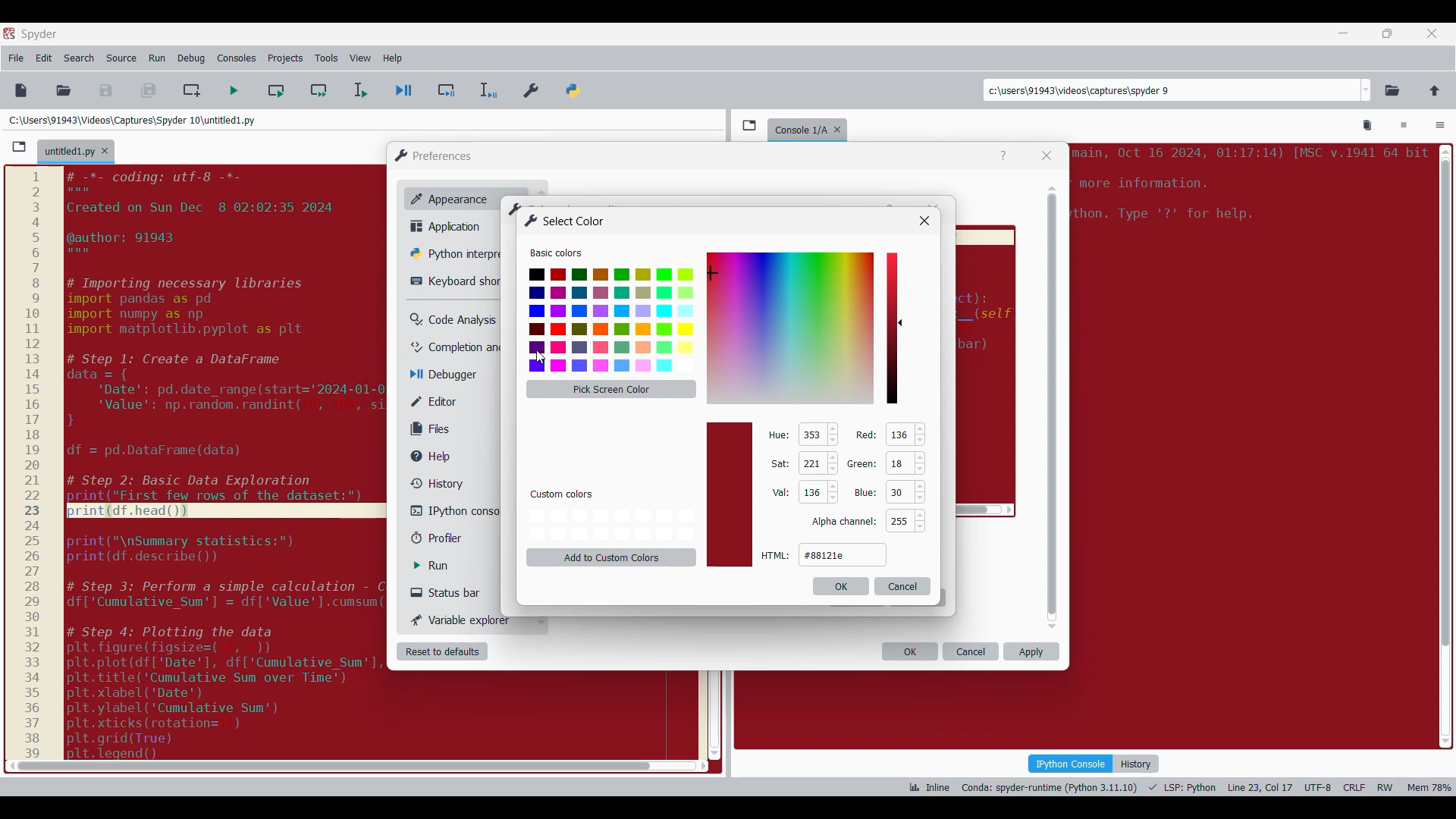  I want to click on Close tab, so click(105, 151).